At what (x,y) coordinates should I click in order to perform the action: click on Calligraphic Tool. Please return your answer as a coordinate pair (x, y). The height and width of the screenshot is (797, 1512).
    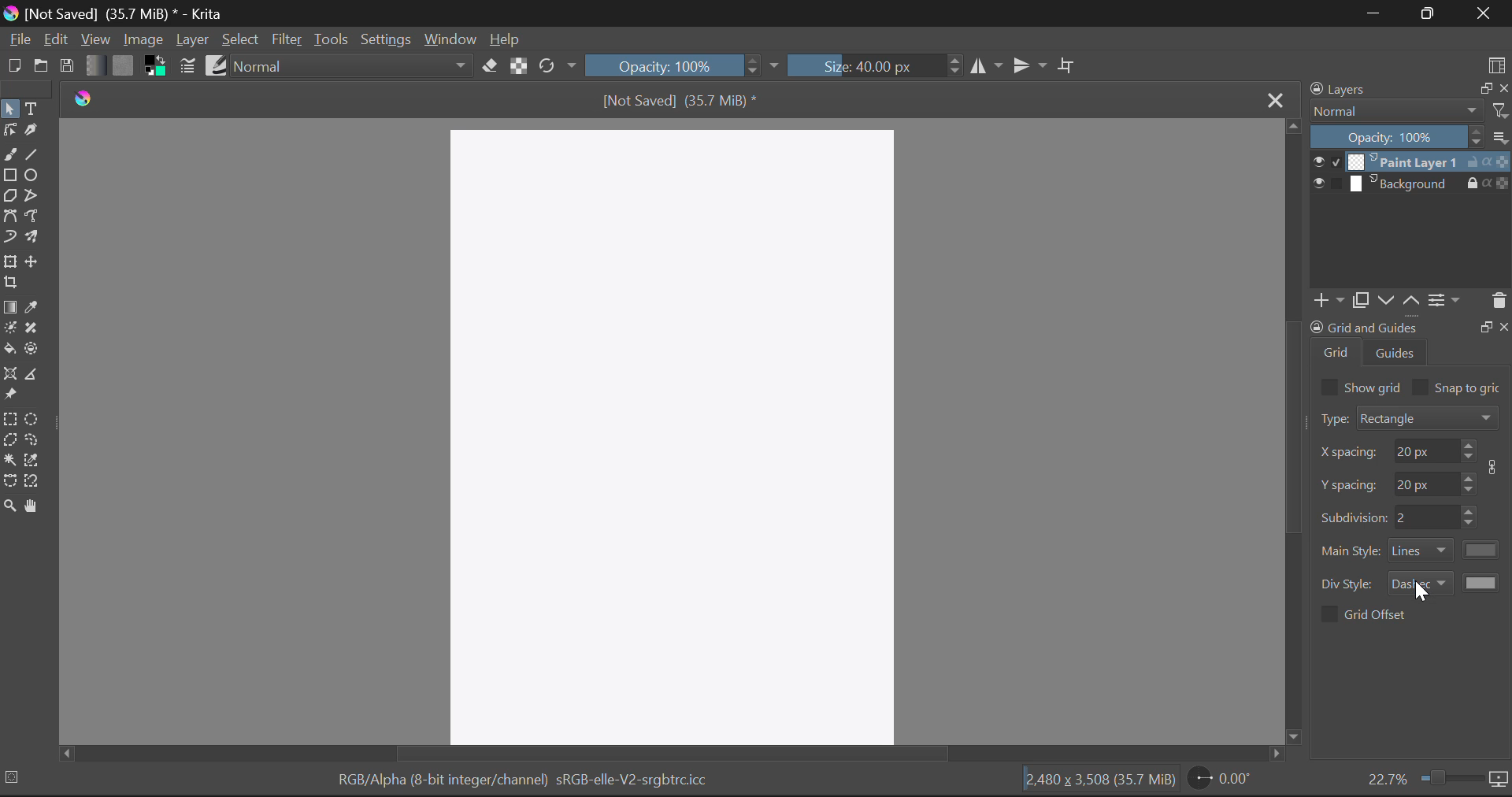
    Looking at the image, I should click on (34, 134).